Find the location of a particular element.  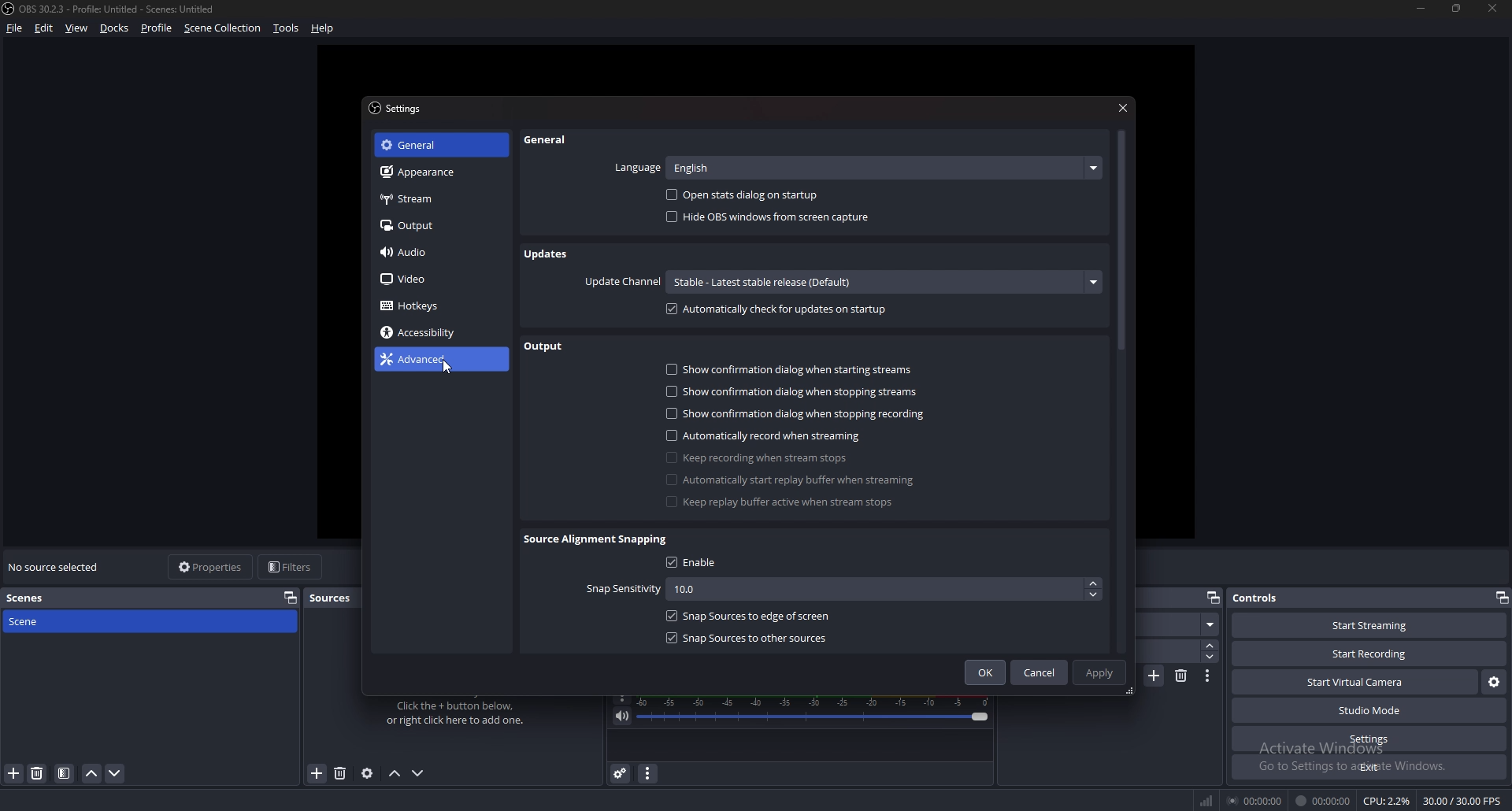

filters is located at coordinates (291, 566).